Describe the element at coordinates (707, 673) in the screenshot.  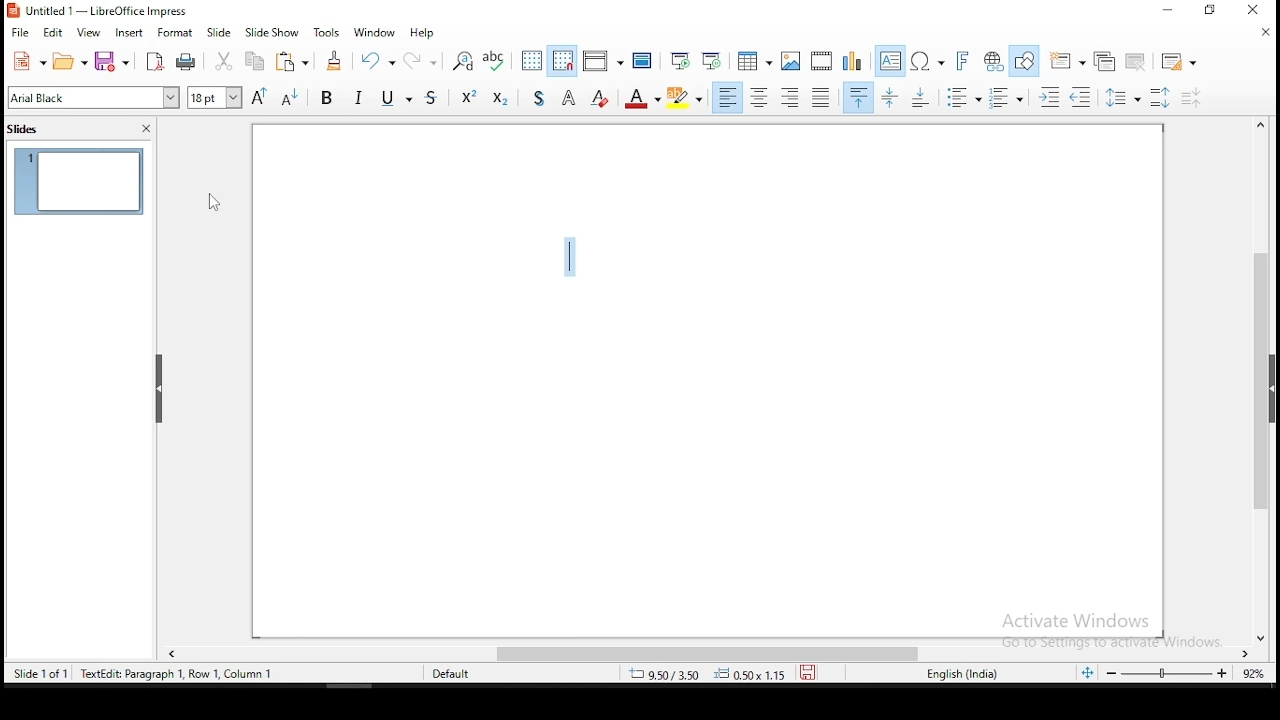
I see `Dimensions` at that location.